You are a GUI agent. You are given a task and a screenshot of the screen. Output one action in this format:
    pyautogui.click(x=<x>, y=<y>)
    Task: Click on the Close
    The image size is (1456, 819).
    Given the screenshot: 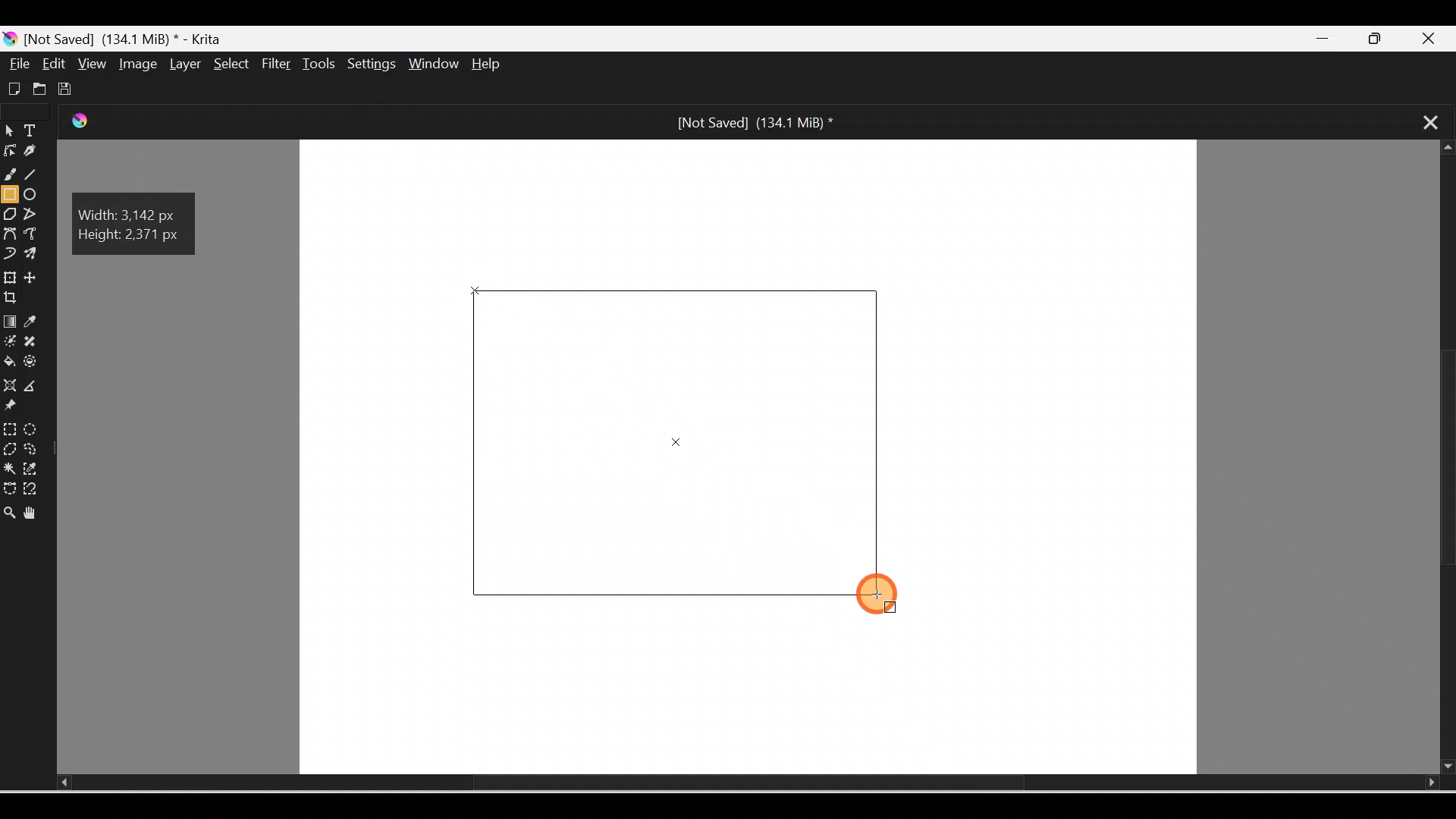 What is the action you would take?
    pyautogui.click(x=1436, y=36)
    